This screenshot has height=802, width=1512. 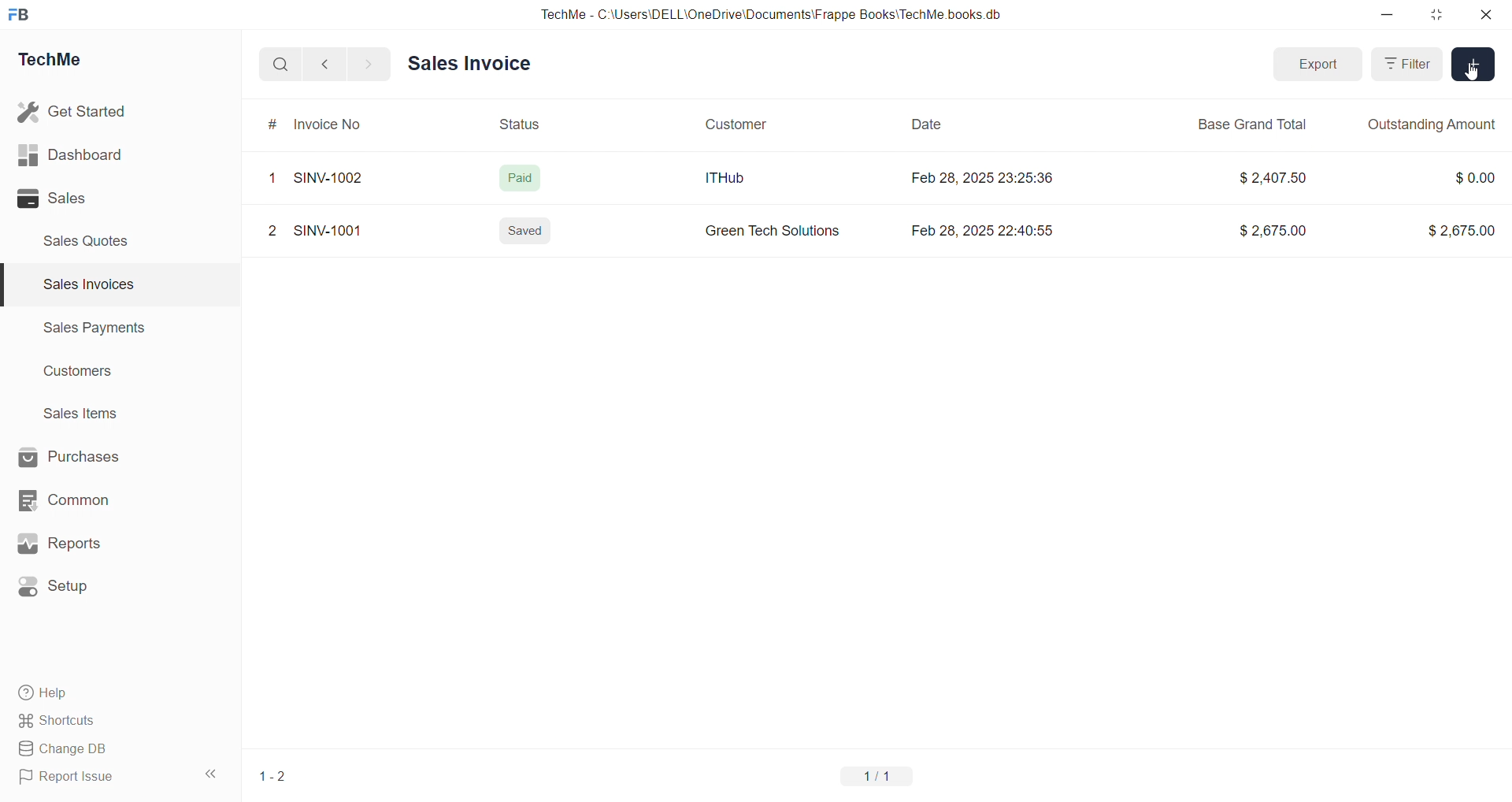 What do you see at coordinates (87, 415) in the screenshot?
I see `Sales Items` at bounding box center [87, 415].